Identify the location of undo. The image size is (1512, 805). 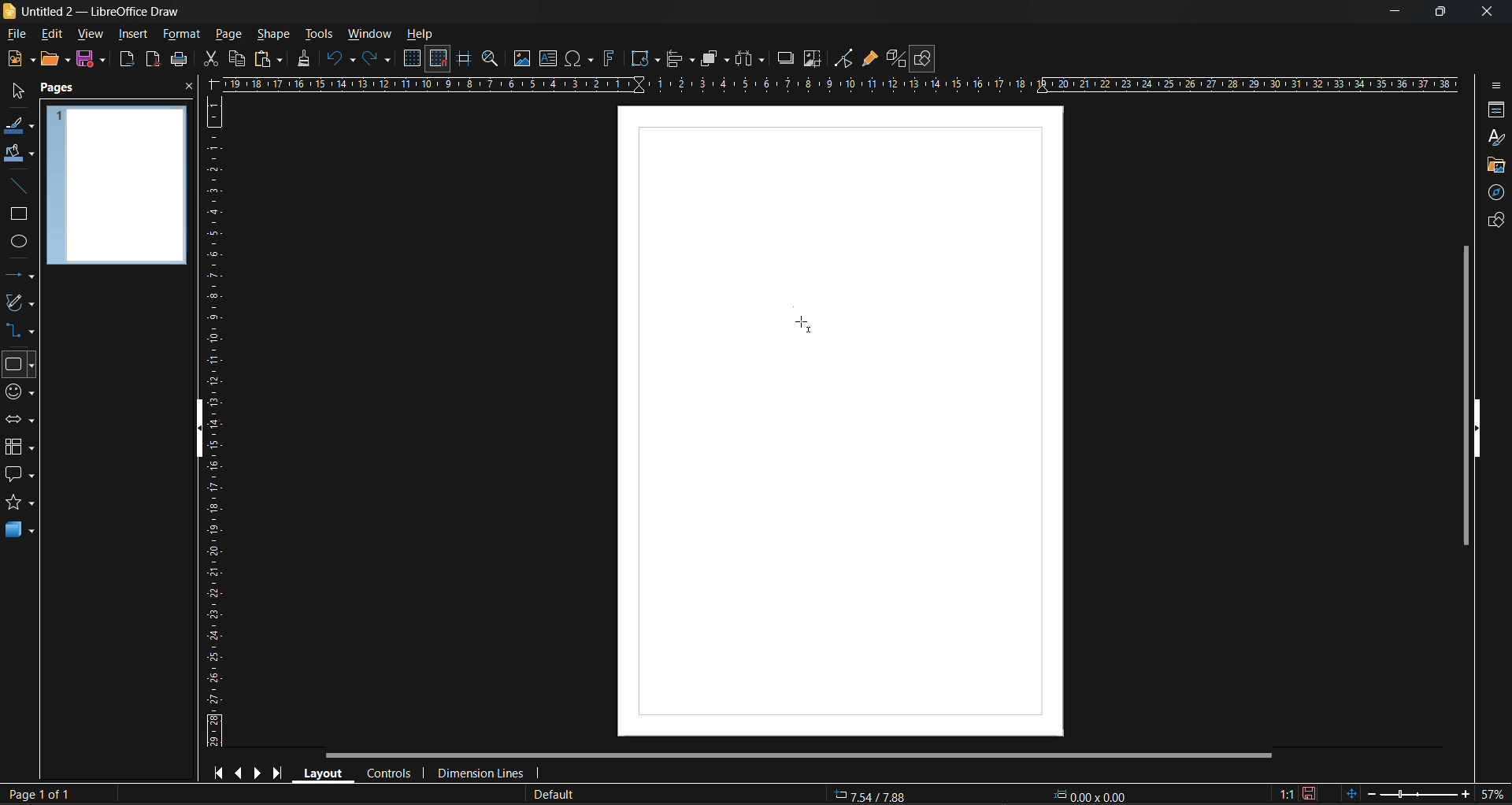
(342, 60).